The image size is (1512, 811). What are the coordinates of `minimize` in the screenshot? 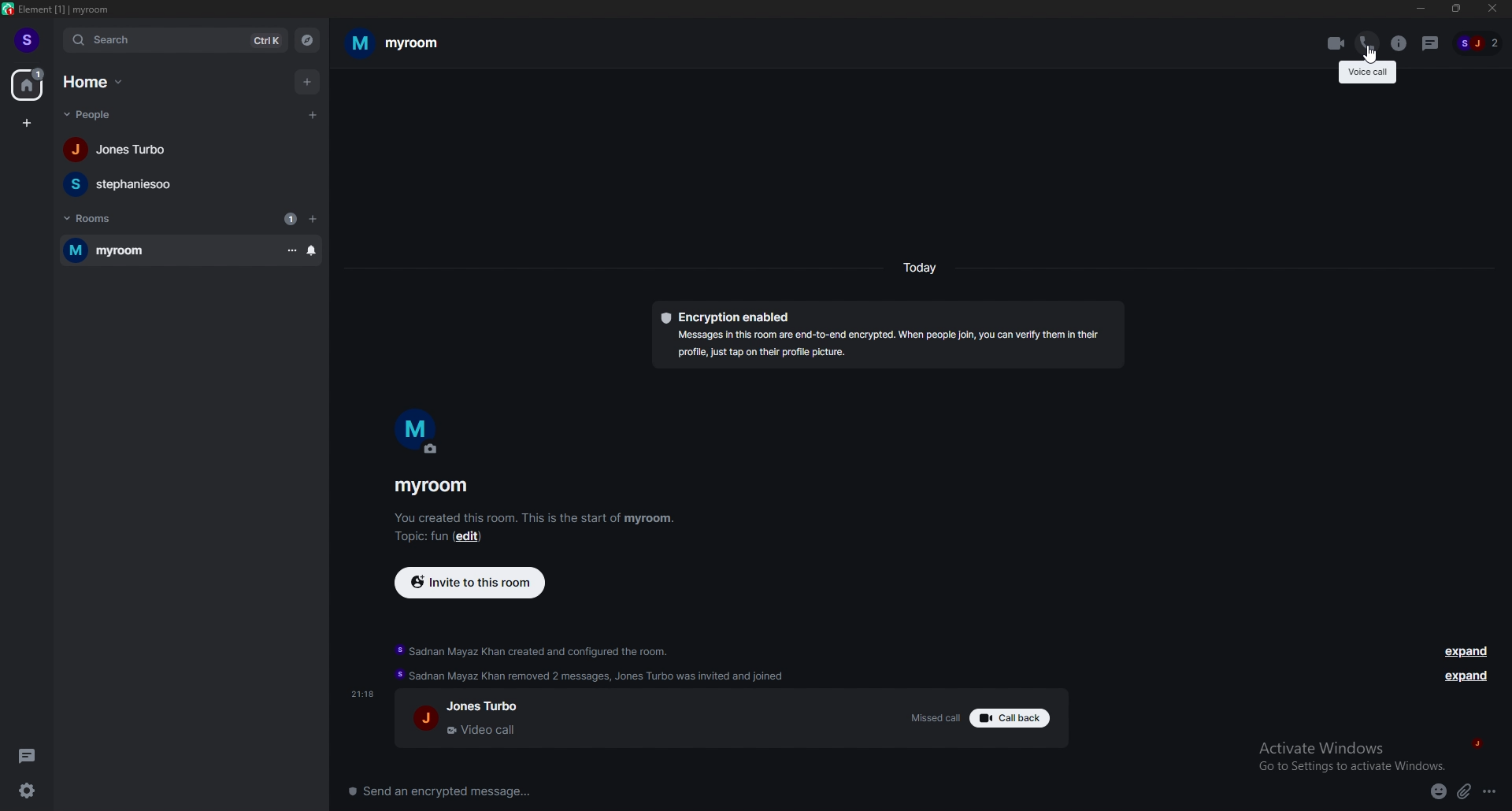 It's located at (1421, 9).